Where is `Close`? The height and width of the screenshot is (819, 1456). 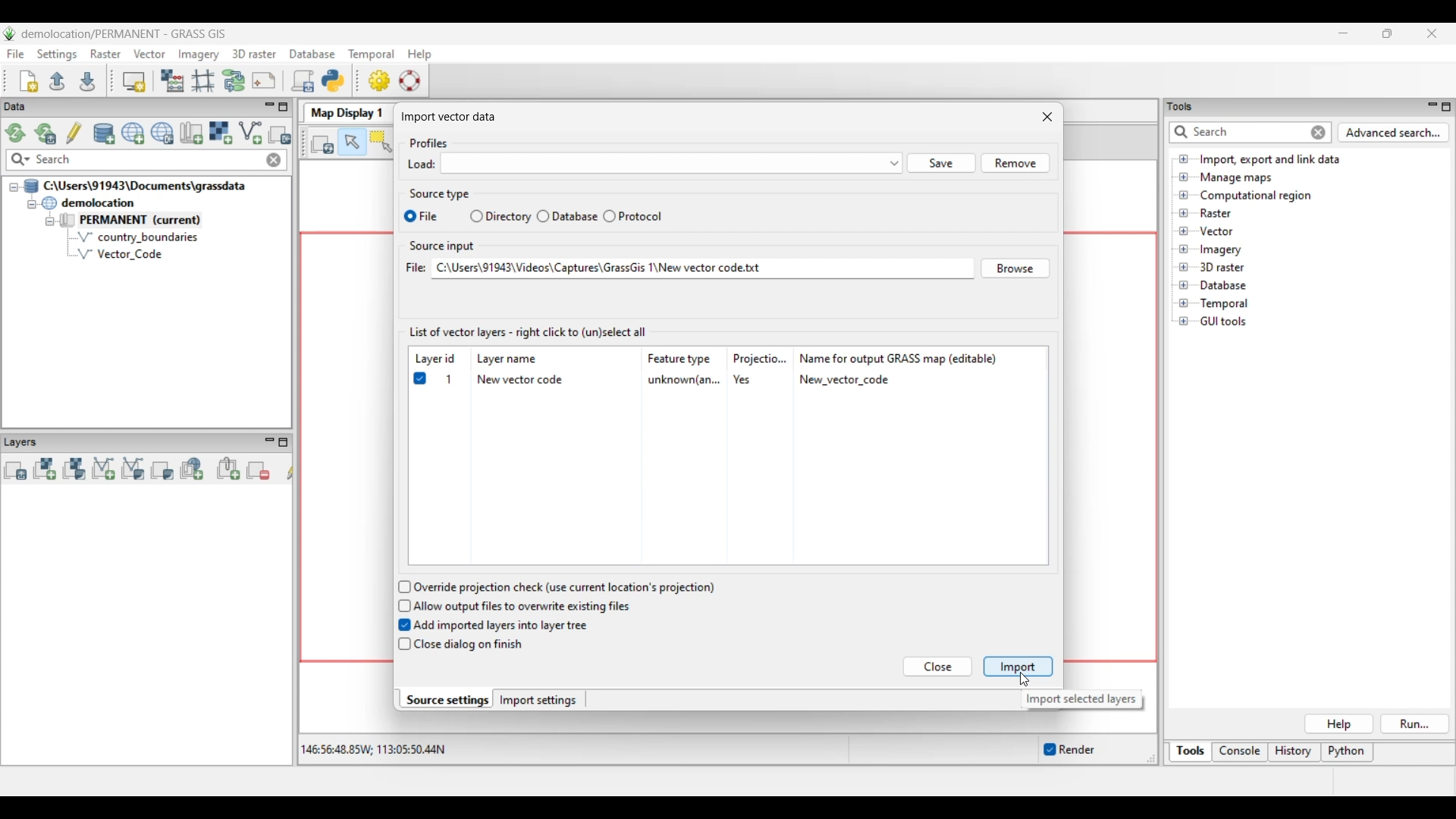
Close is located at coordinates (939, 667).